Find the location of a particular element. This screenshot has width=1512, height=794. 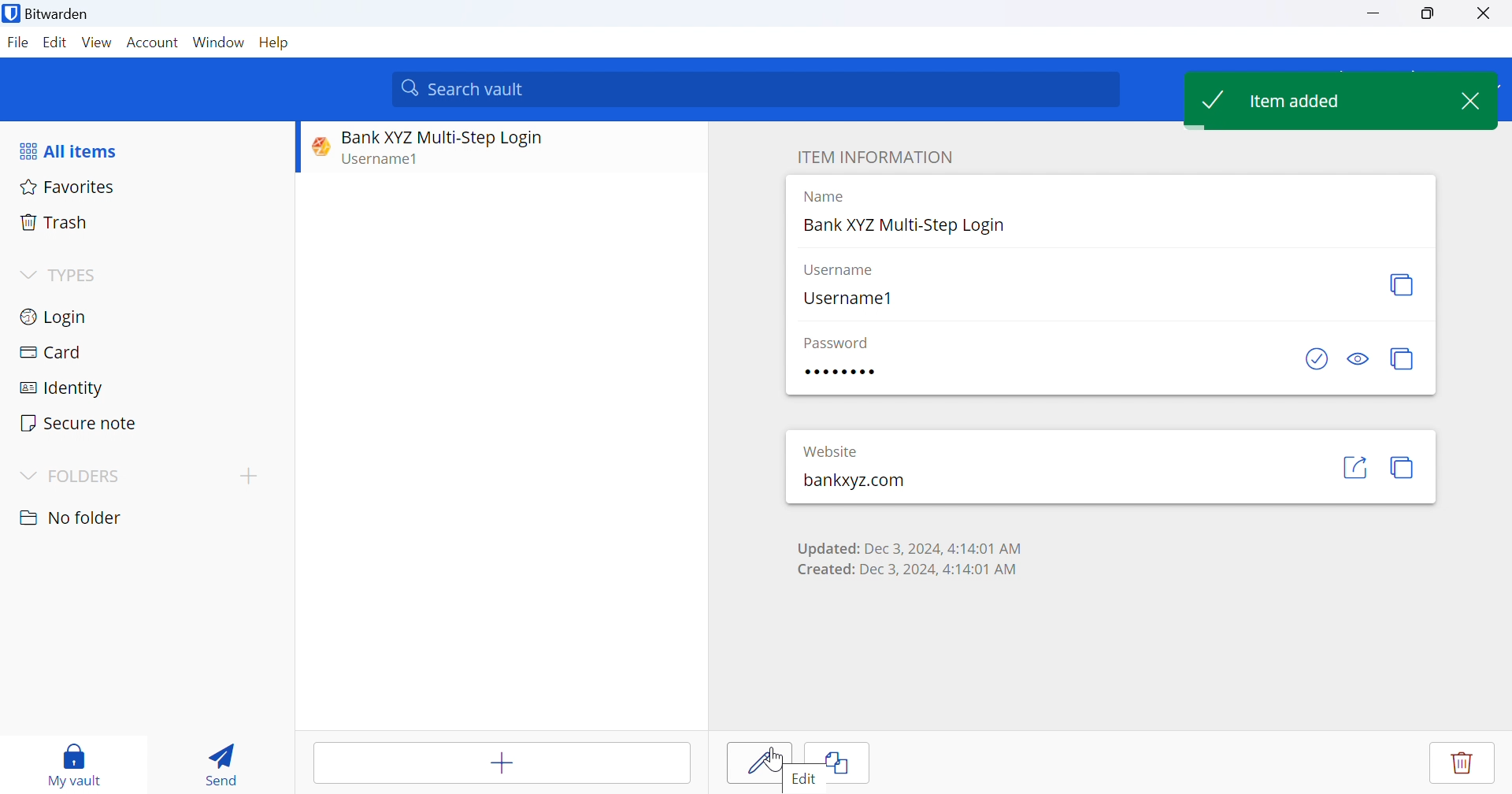

Name is located at coordinates (819, 197).